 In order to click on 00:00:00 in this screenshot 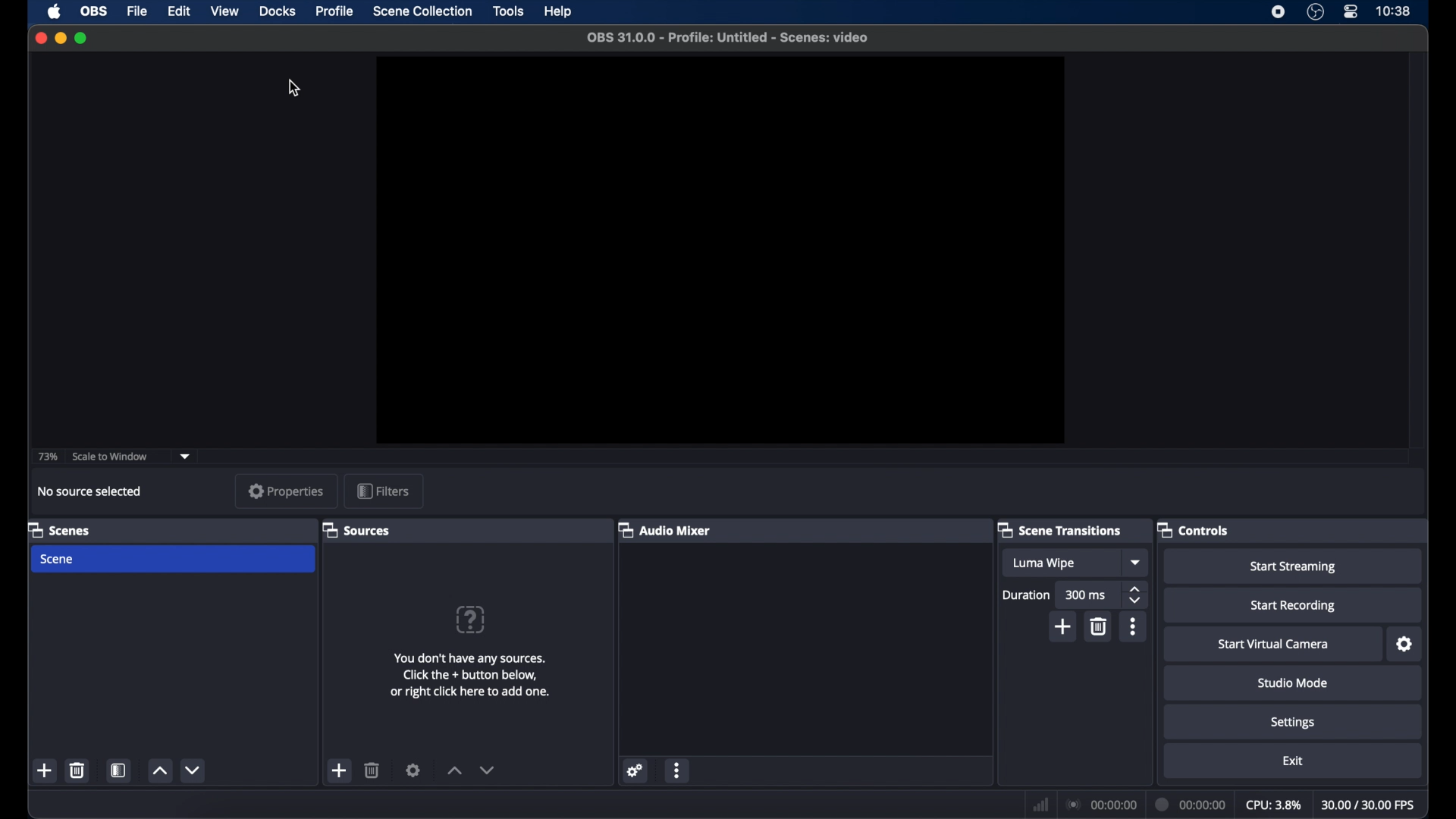, I will do `click(1103, 805)`.